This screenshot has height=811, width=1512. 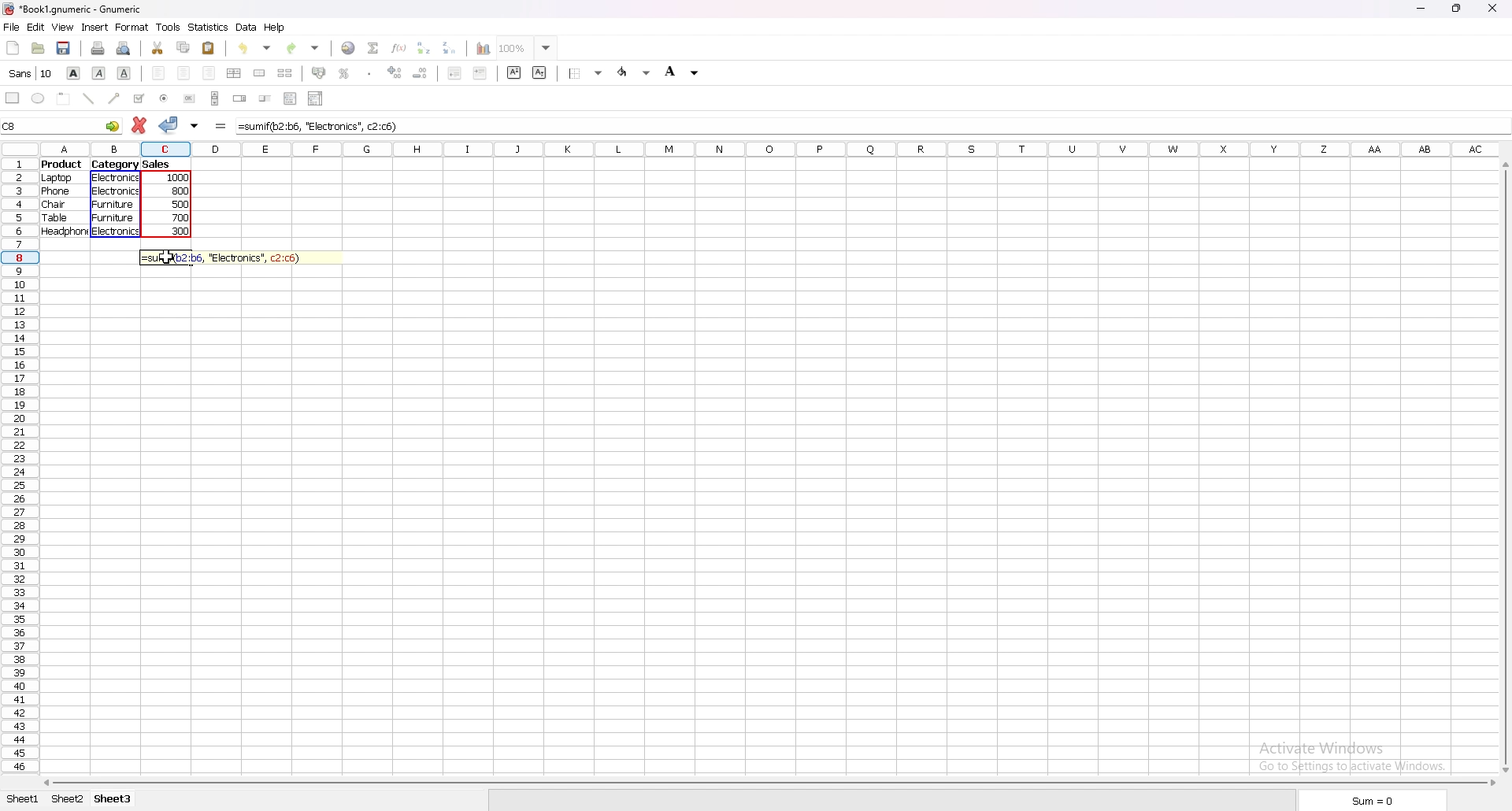 What do you see at coordinates (528, 48) in the screenshot?
I see `zoom` at bounding box center [528, 48].